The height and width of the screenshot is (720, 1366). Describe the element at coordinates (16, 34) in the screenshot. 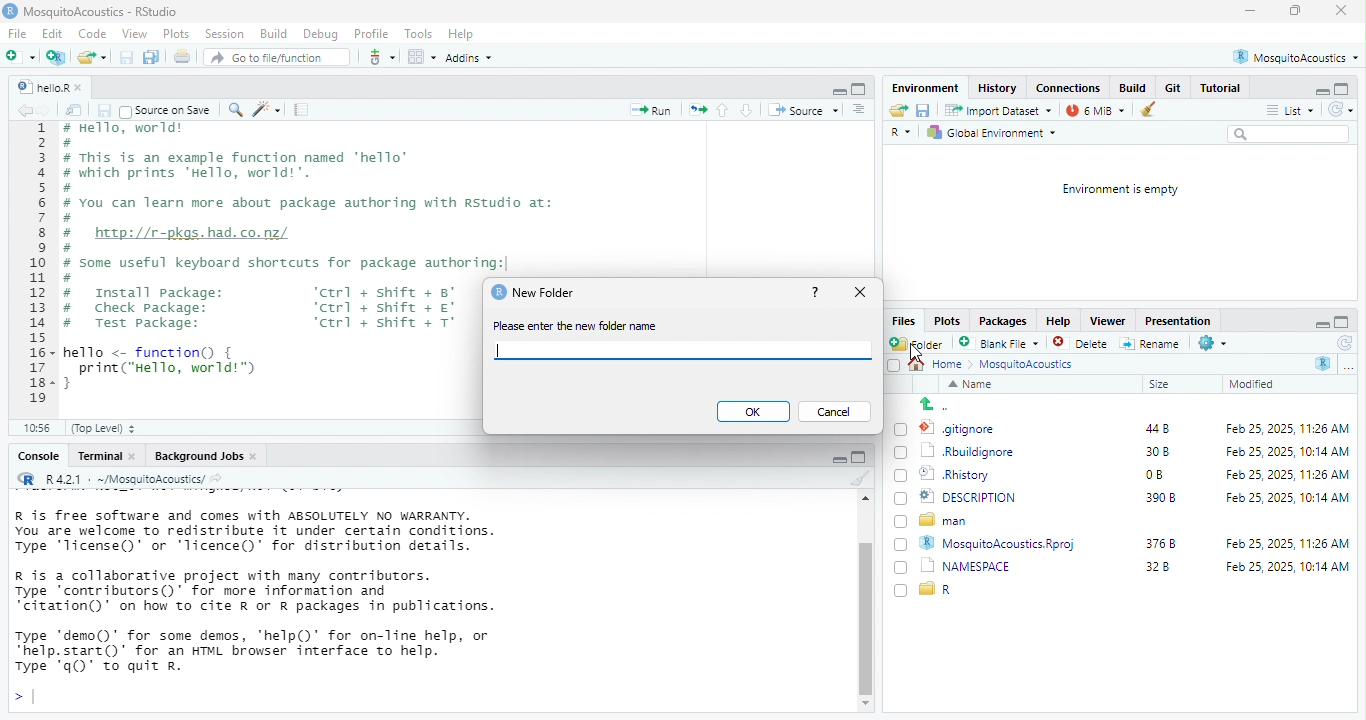

I see `file` at that location.